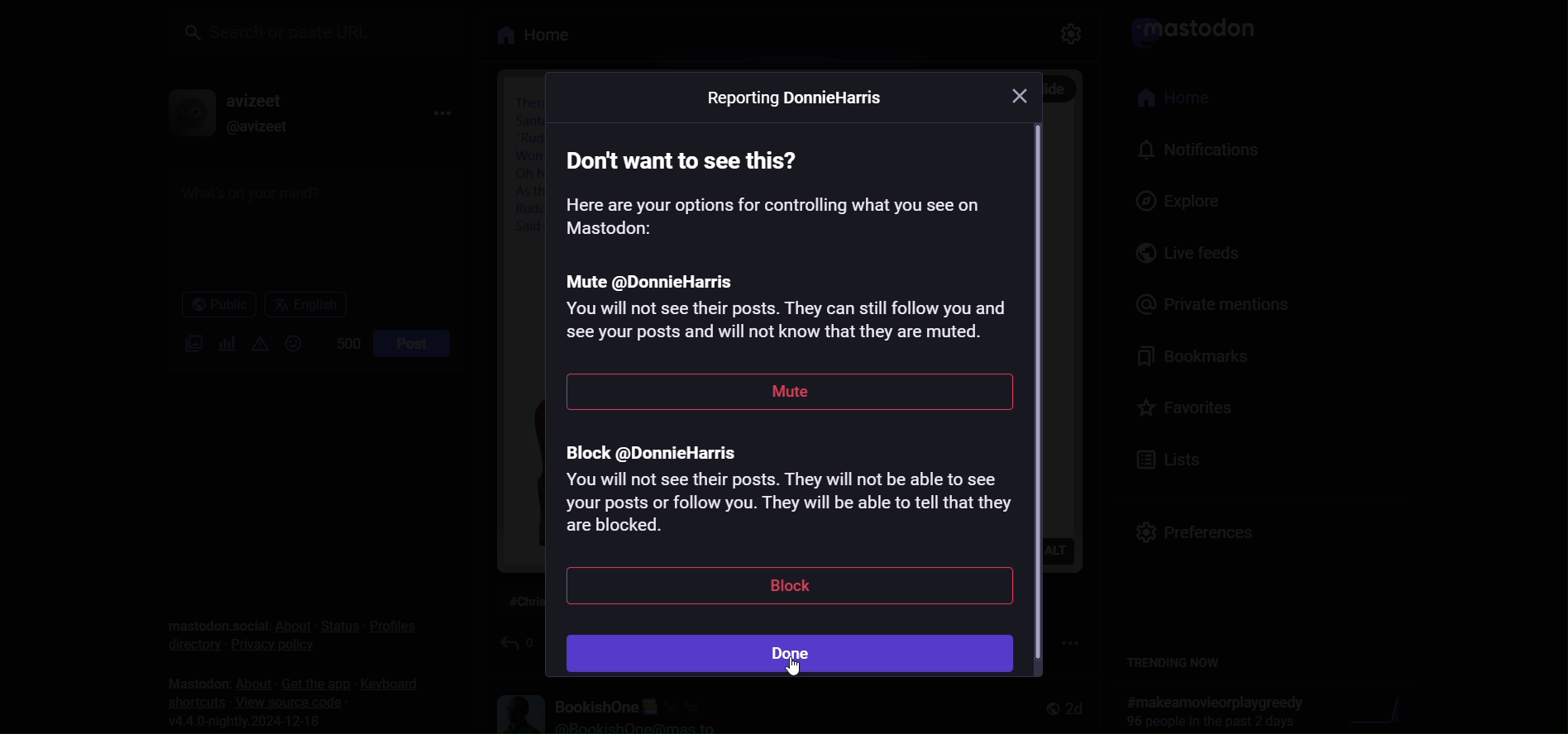  Describe the element at coordinates (410, 342) in the screenshot. I see `post` at that location.